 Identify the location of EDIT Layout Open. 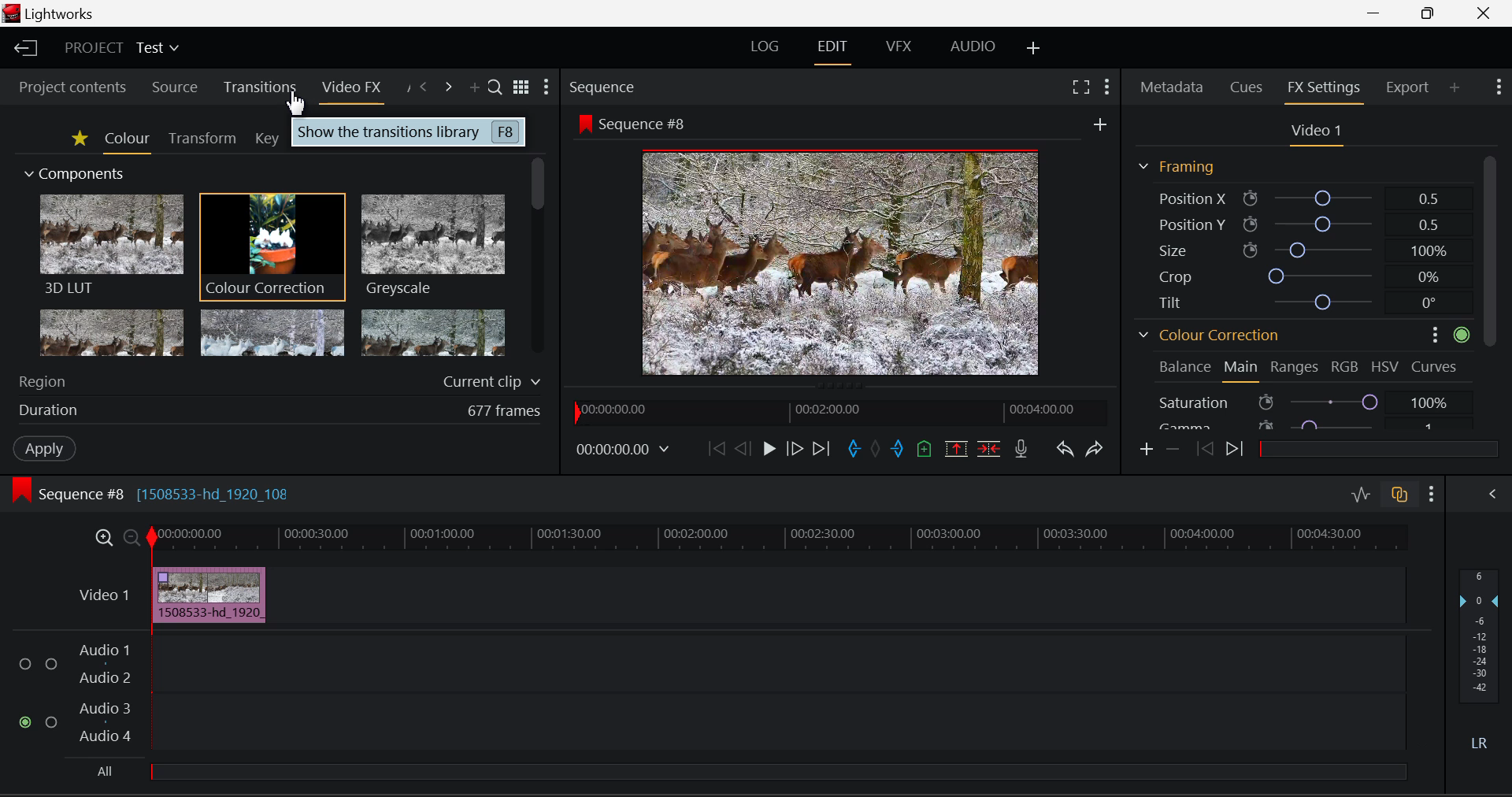
(833, 50).